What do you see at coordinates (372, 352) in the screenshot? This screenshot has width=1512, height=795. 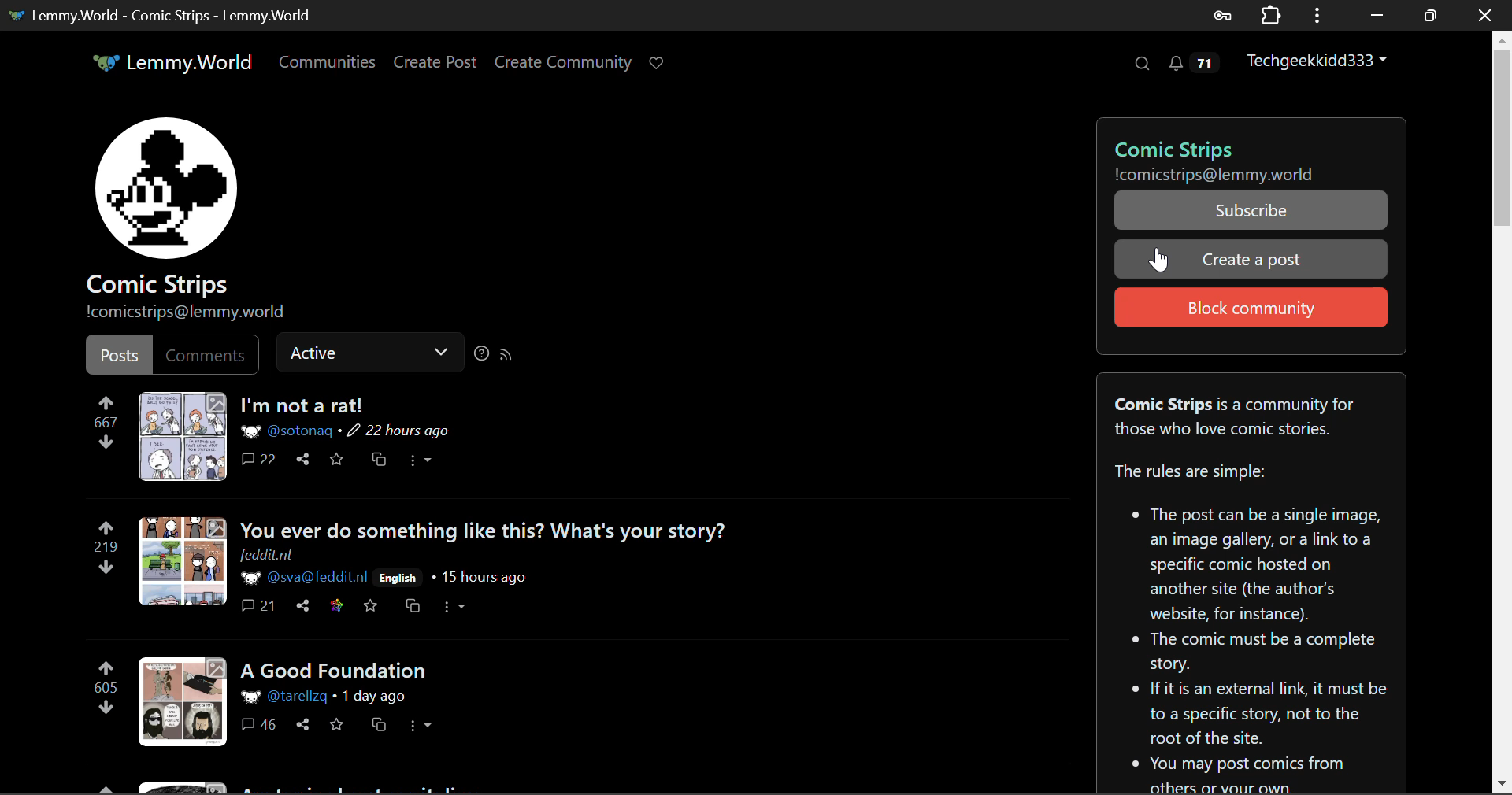 I see `Active` at bounding box center [372, 352].